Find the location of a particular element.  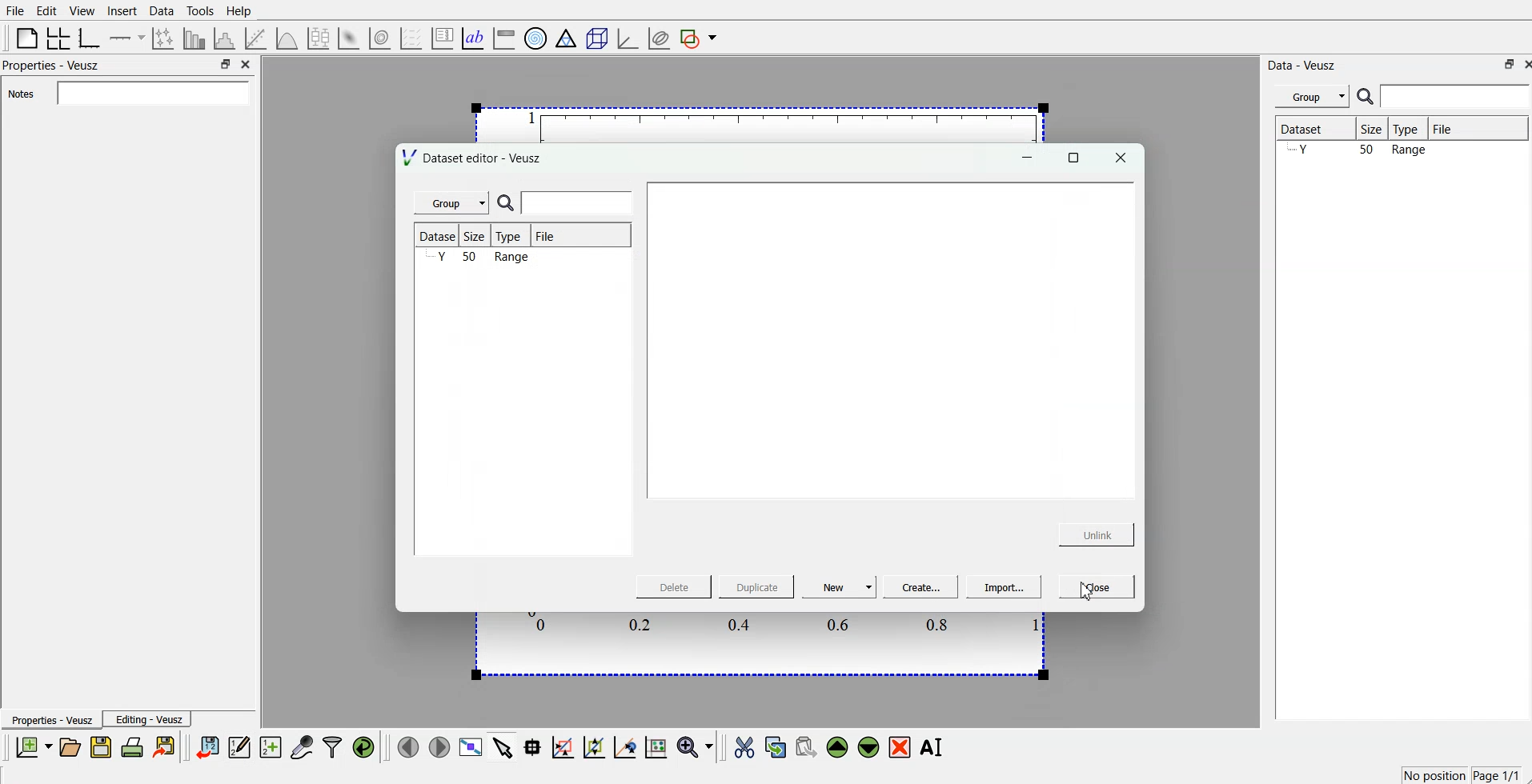

move to next page is located at coordinates (439, 746).